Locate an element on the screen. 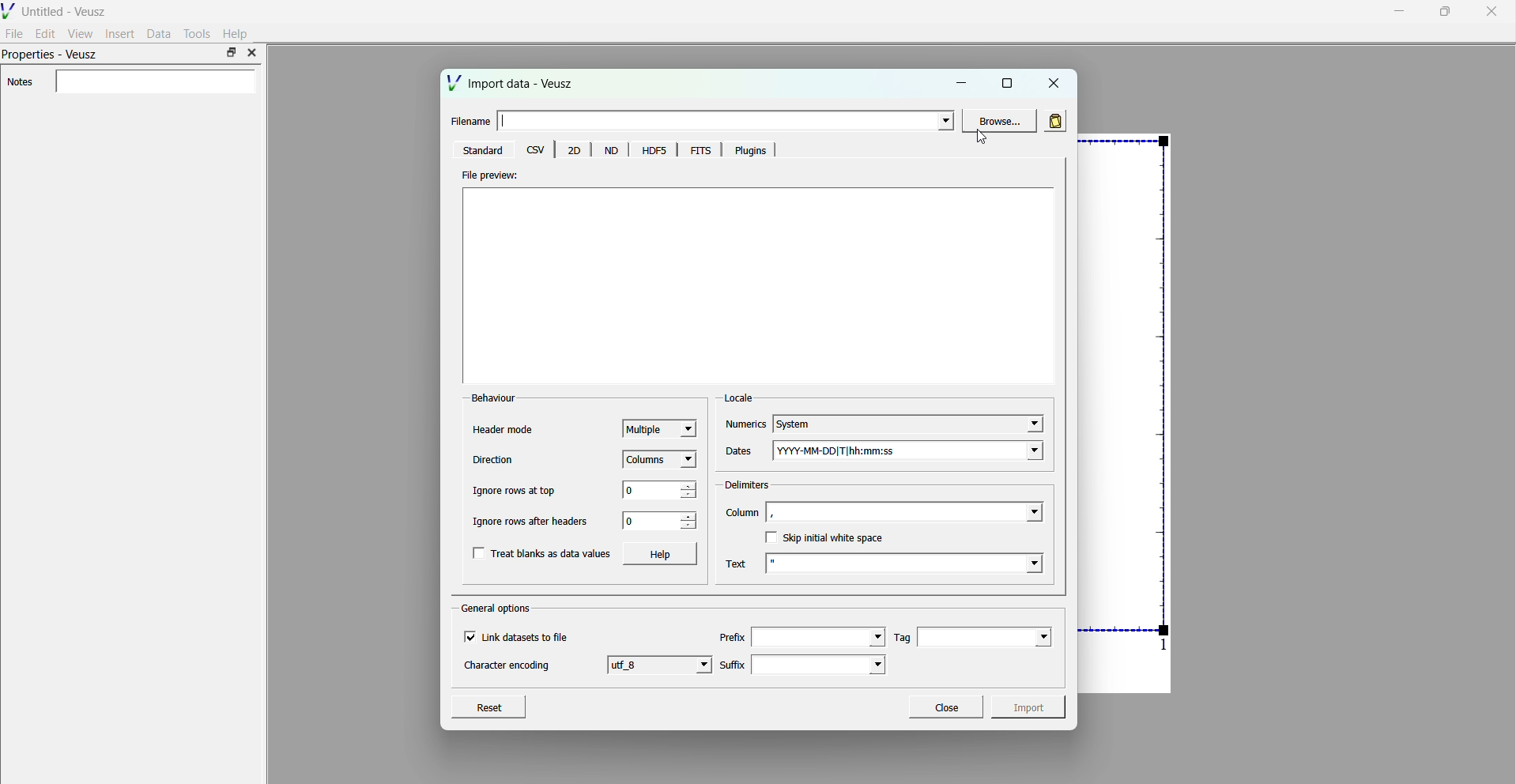 This screenshot has height=784, width=1516. maximise is located at coordinates (1442, 11).